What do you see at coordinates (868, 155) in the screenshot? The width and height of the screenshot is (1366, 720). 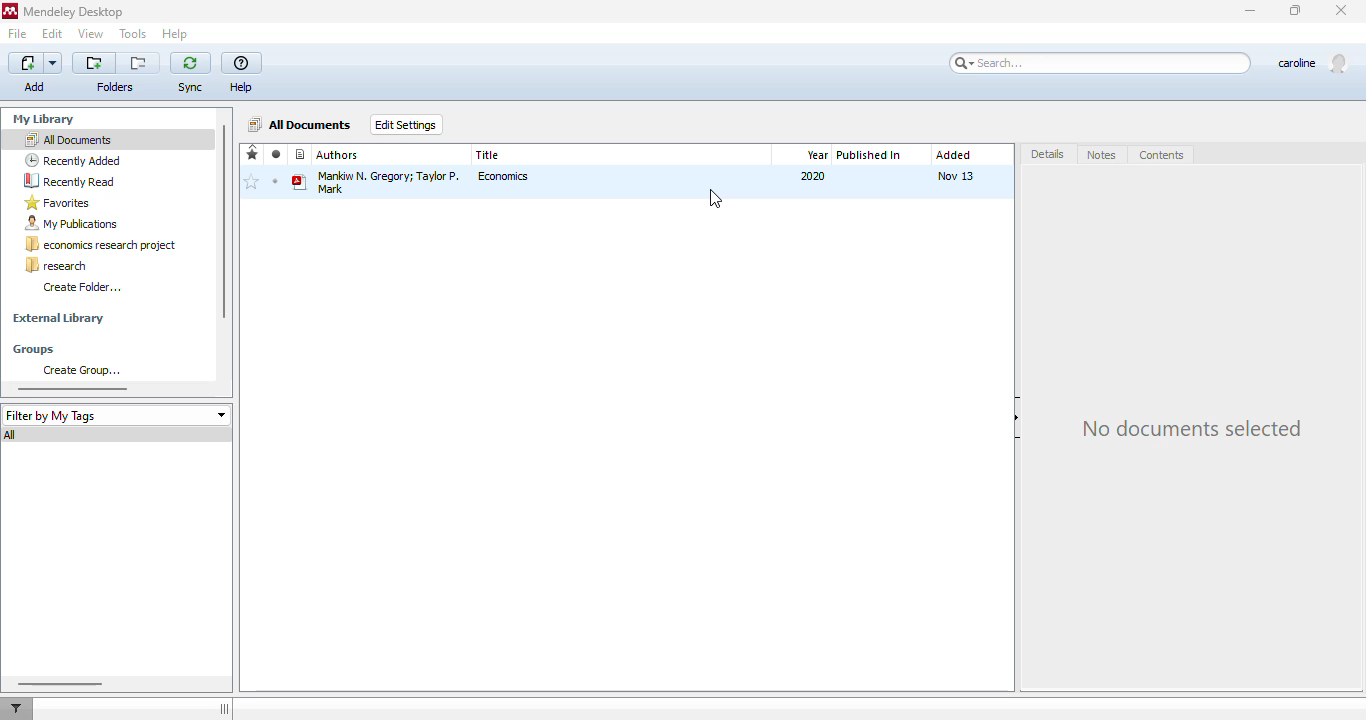 I see `published in` at bounding box center [868, 155].